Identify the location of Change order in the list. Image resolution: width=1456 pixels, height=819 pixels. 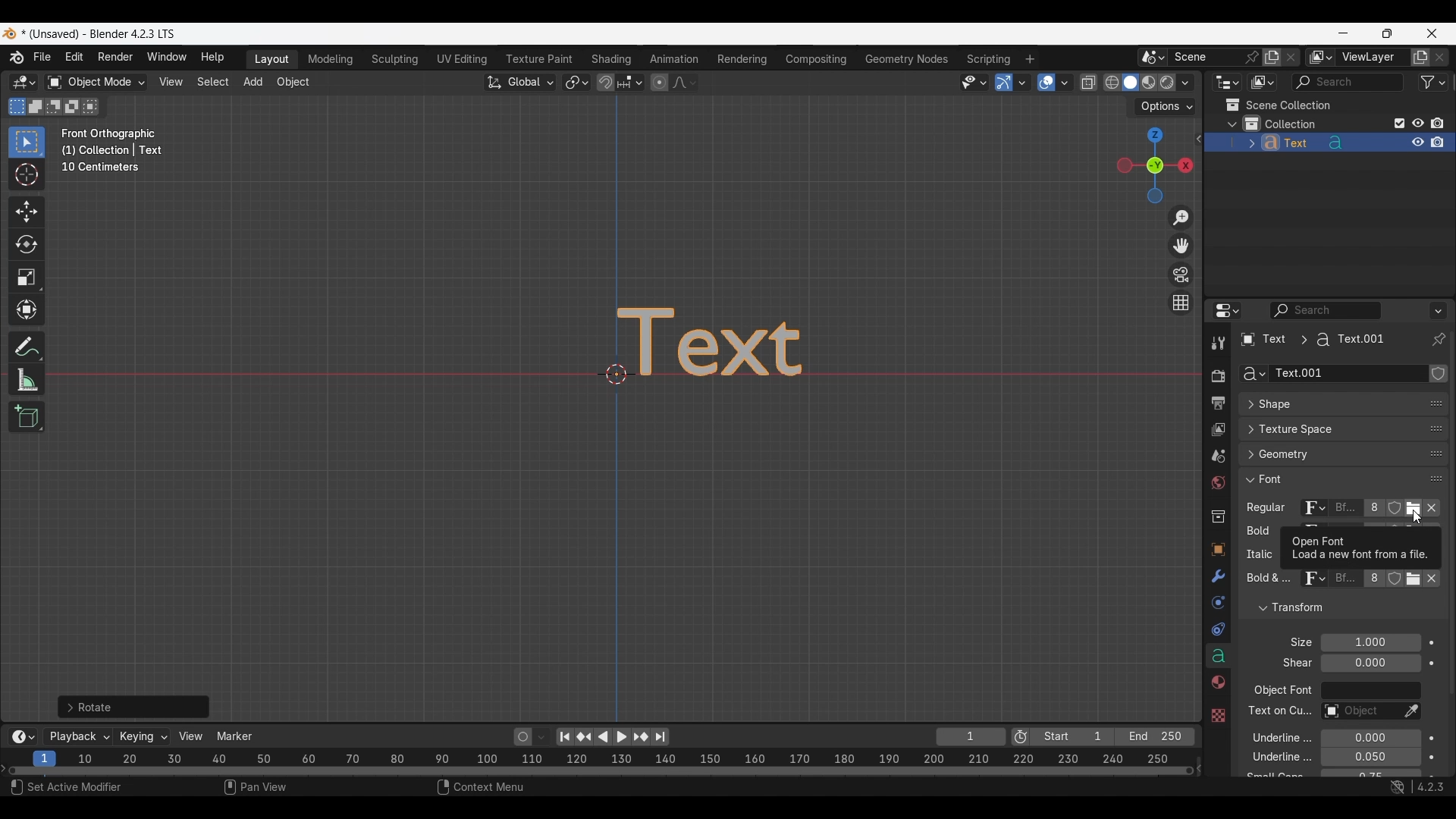
(1437, 601).